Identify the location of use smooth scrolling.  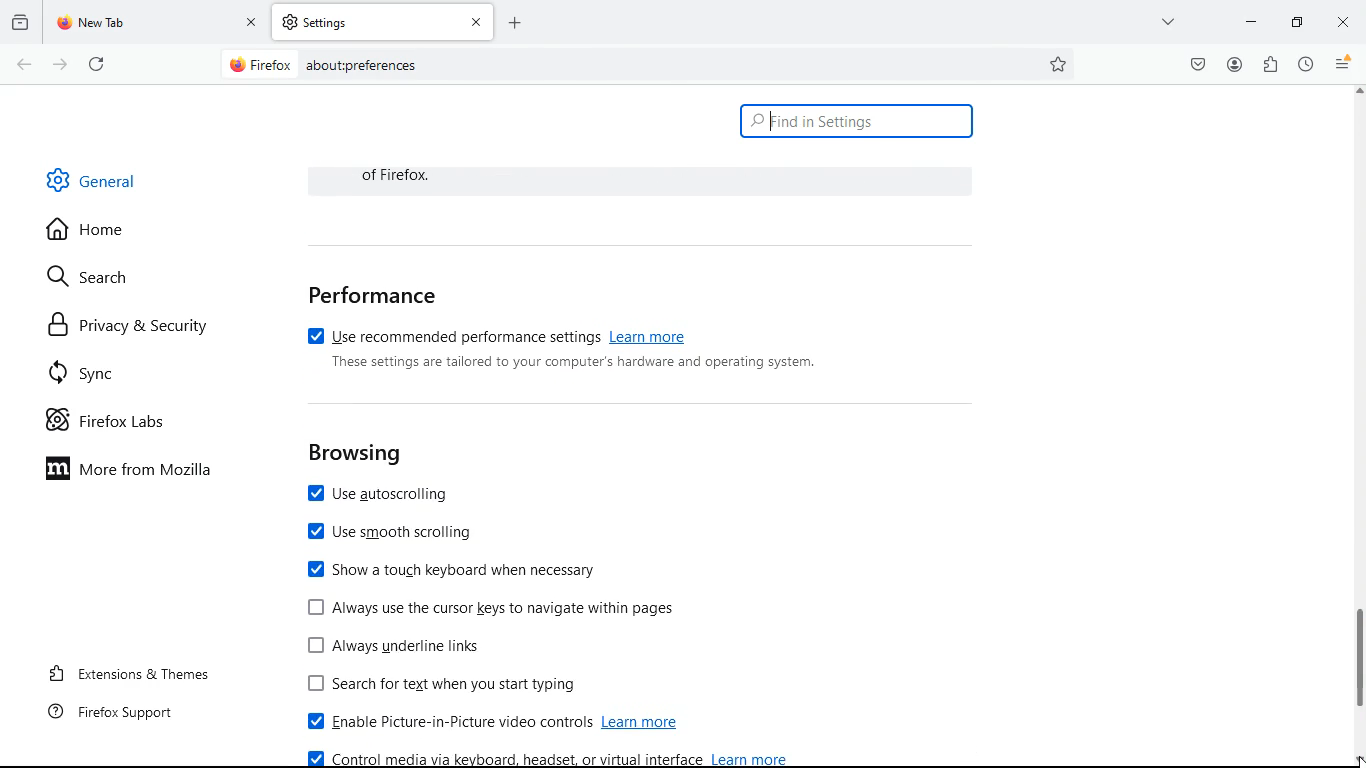
(395, 535).